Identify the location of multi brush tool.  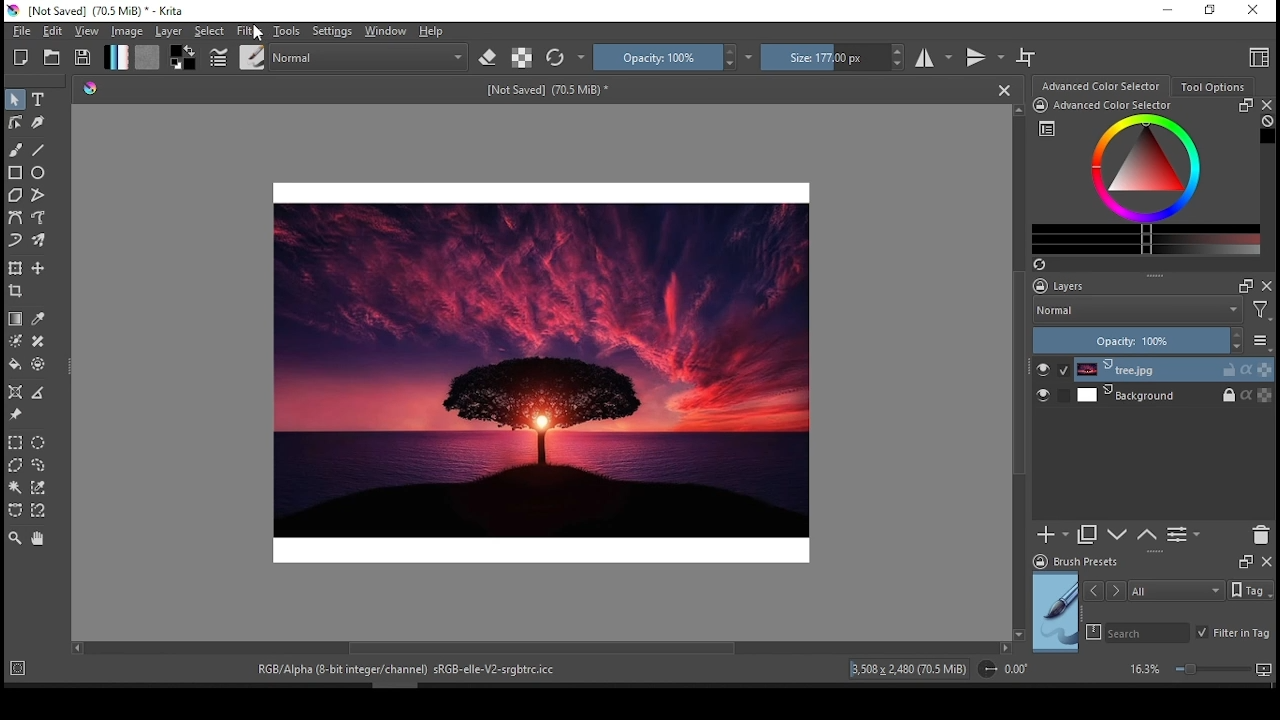
(40, 240).